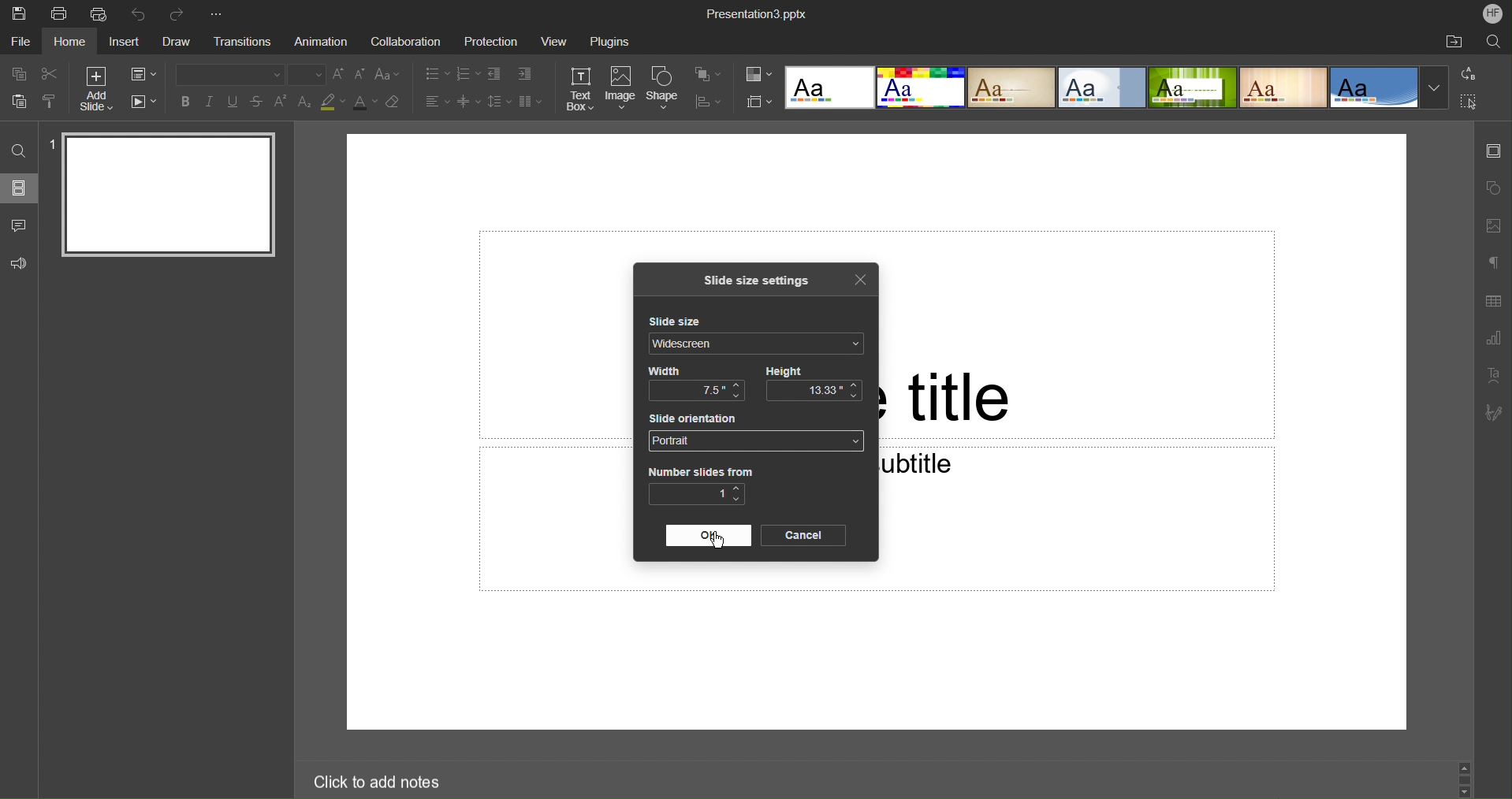 The width and height of the screenshot is (1512, 799). What do you see at coordinates (20, 13) in the screenshot?
I see `Save` at bounding box center [20, 13].